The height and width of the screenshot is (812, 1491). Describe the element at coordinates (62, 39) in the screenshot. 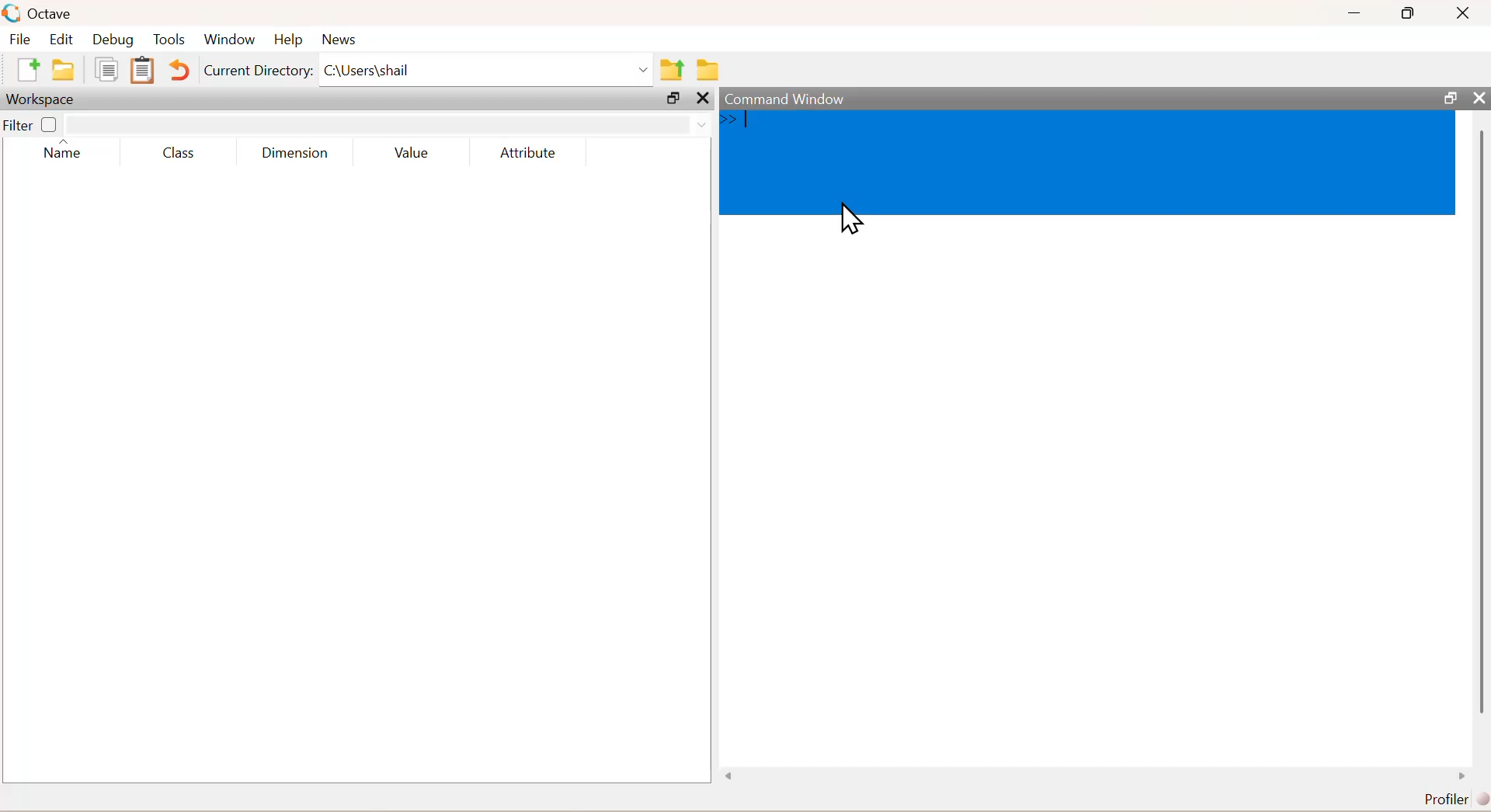

I see `edit` at that location.